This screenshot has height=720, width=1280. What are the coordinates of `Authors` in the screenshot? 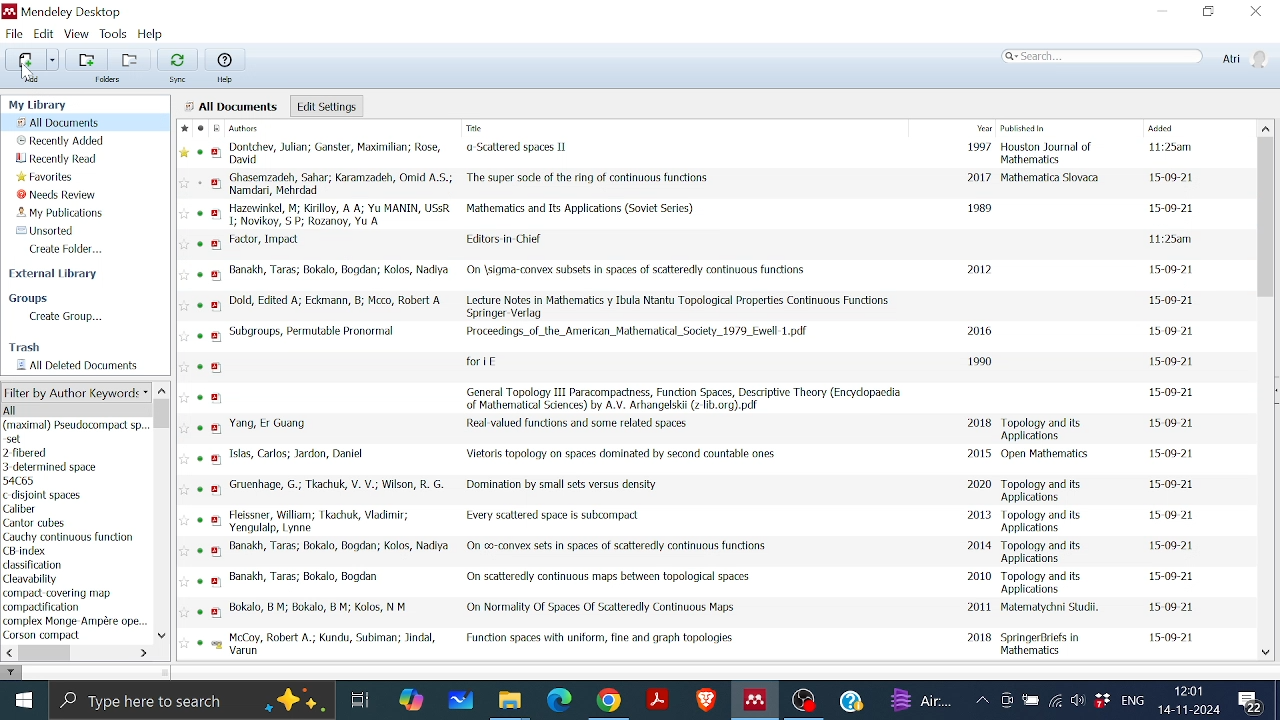 It's located at (247, 130).